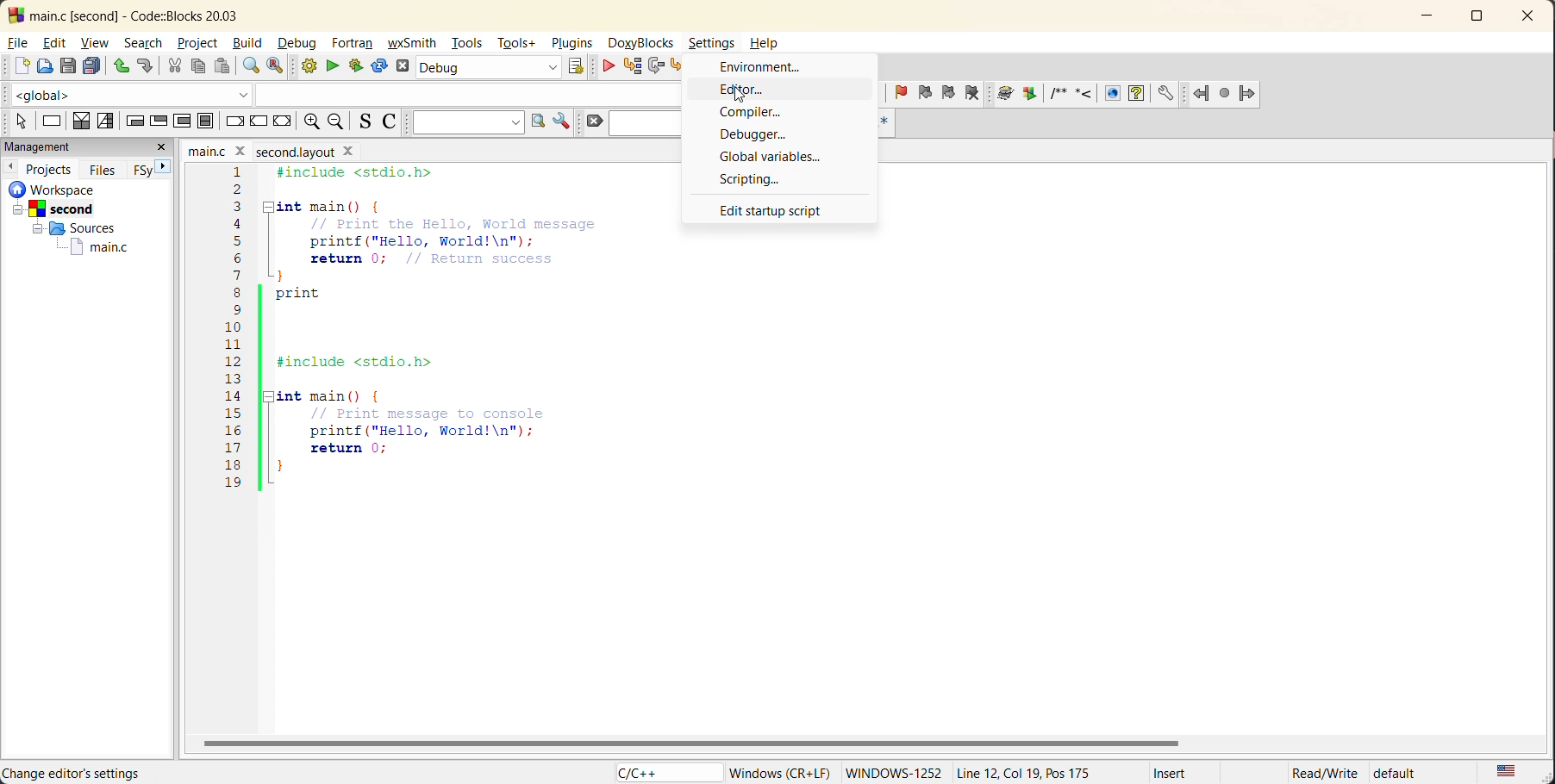 This screenshot has width=1555, height=784. What do you see at coordinates (771, 157) in the screenshot?
I see `global variables` at bounding box center [771, 157].